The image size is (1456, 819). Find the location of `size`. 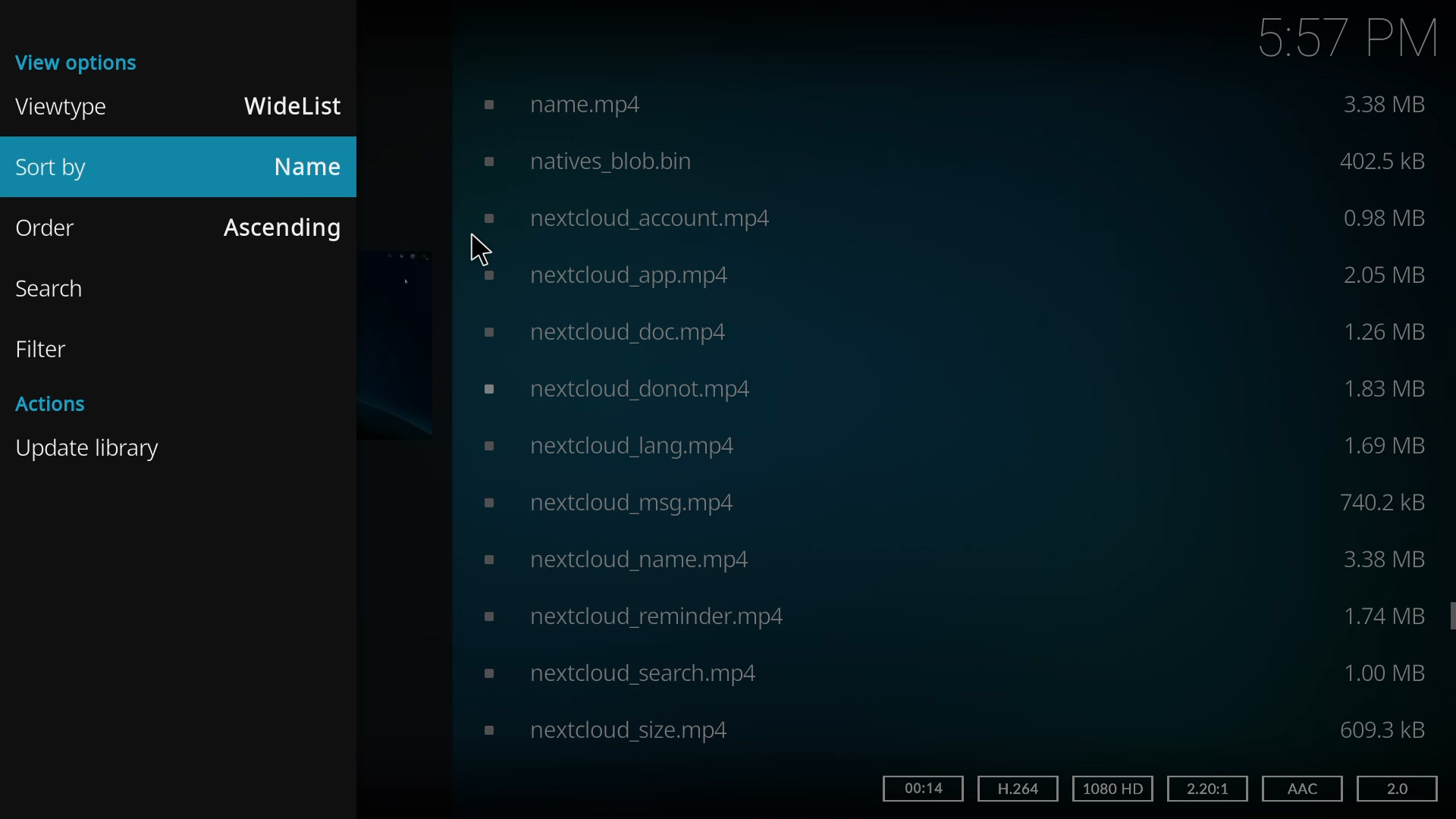

size is located at coordinates (1386, 557).